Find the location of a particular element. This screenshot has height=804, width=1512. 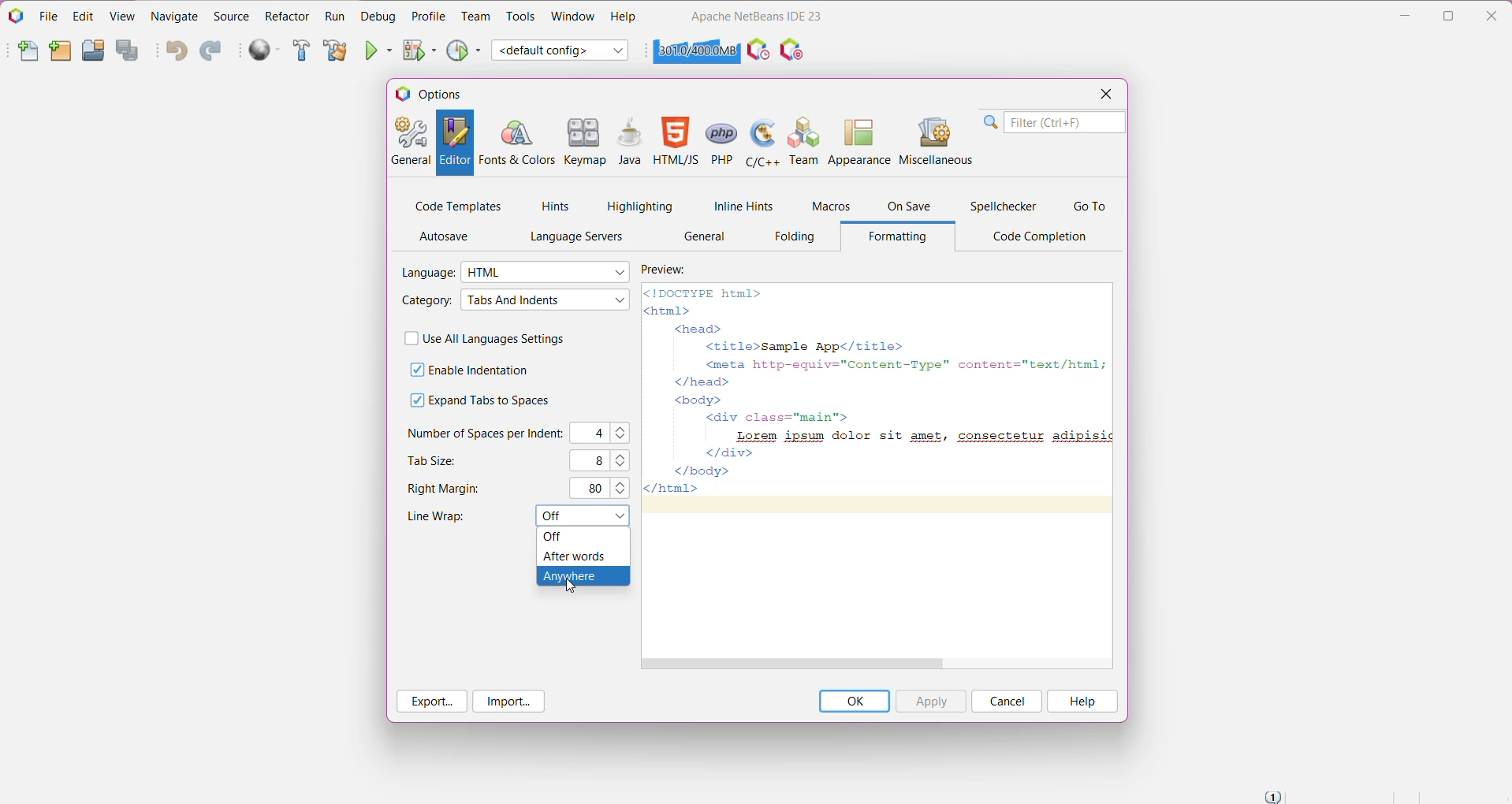

Click to force garbage collection is located at coordinates (696, 50).